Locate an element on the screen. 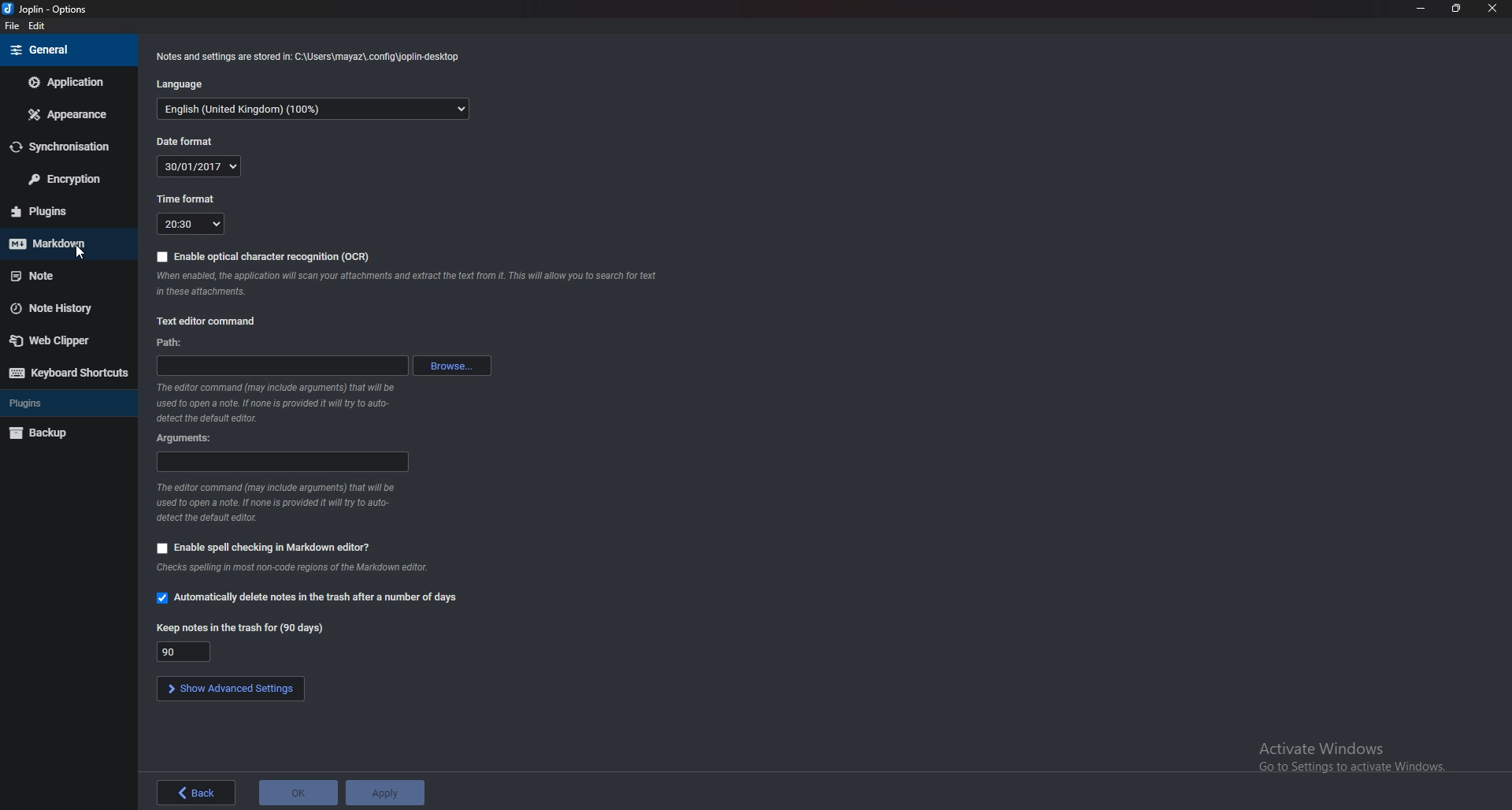 The image size is (1512, 810). Date format is located at coordinates (202, 165).